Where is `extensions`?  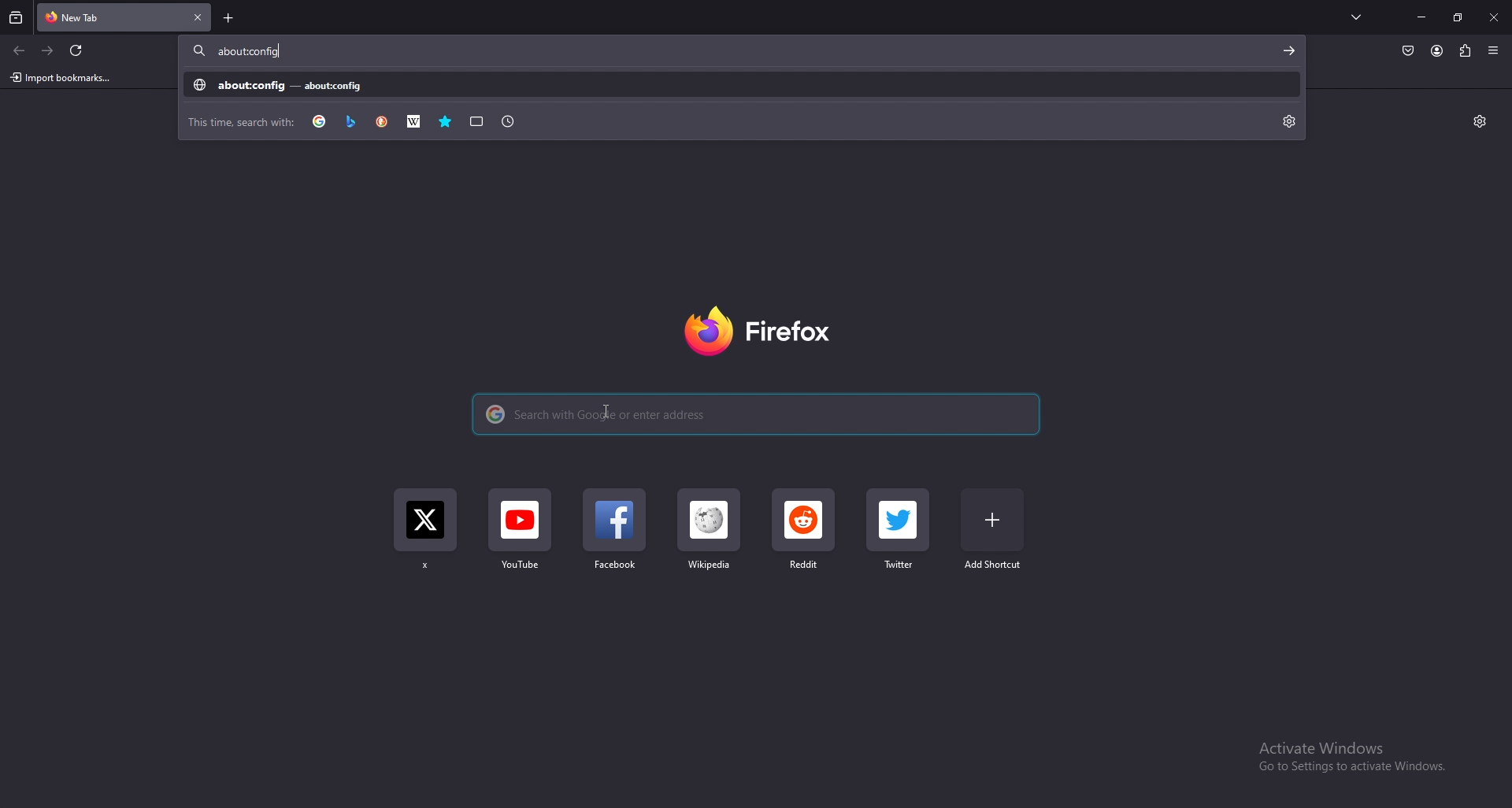
extensions is located at coordinates (1466, 49).